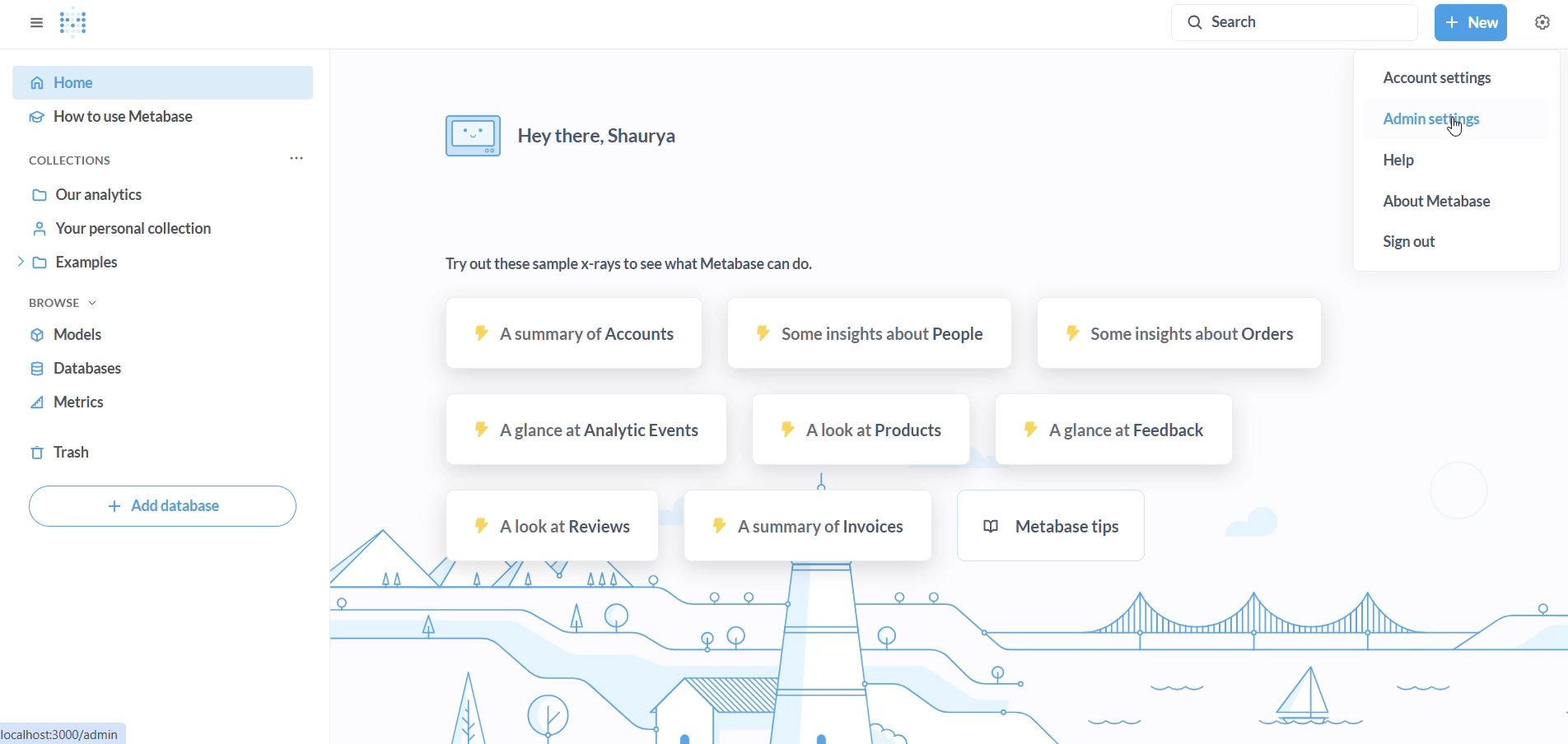 The image size is (1568, 744). I want to click on home, so click(161, 81).